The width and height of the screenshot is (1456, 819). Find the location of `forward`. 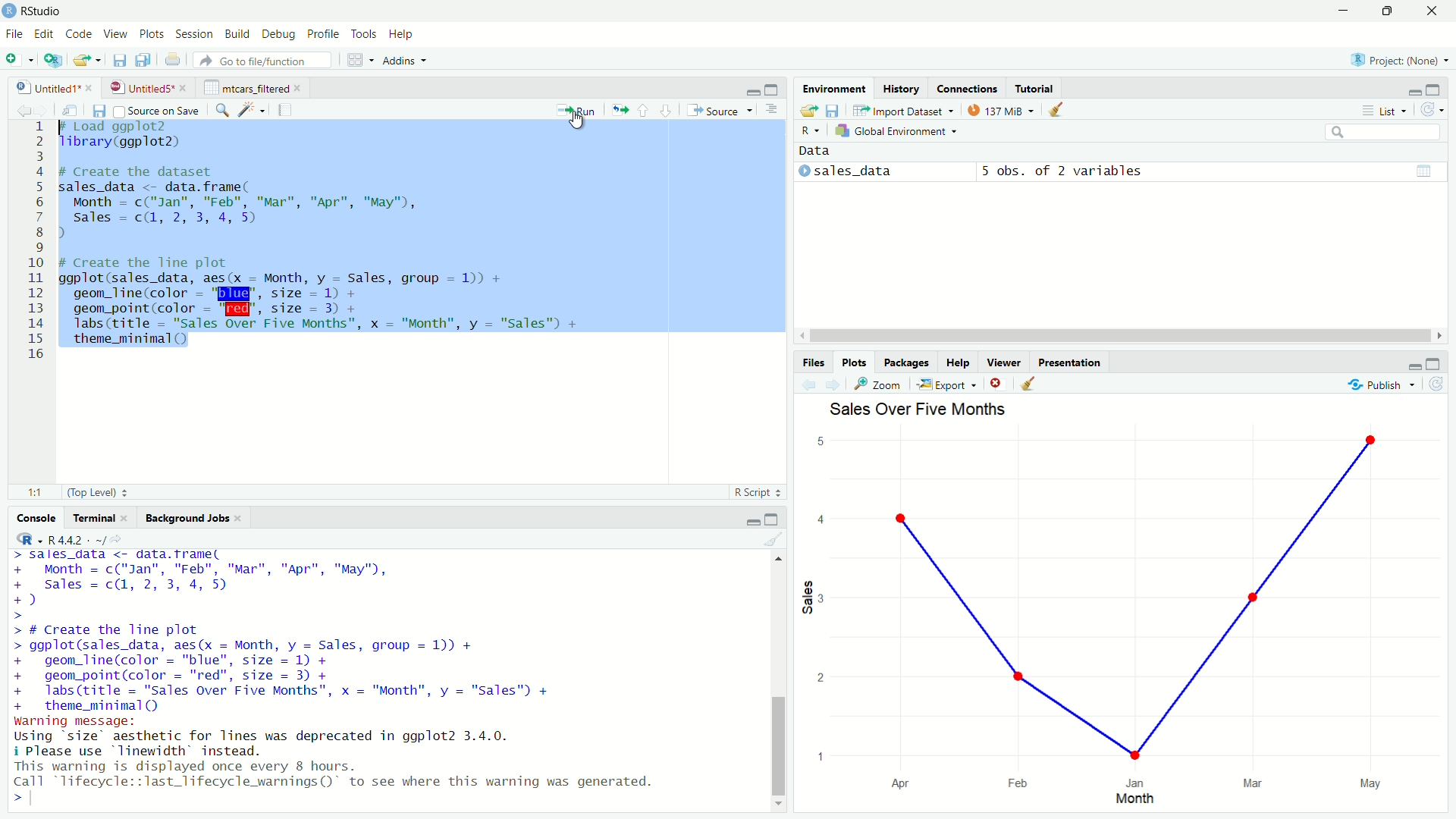

forward is located at coordinates (48, 111).